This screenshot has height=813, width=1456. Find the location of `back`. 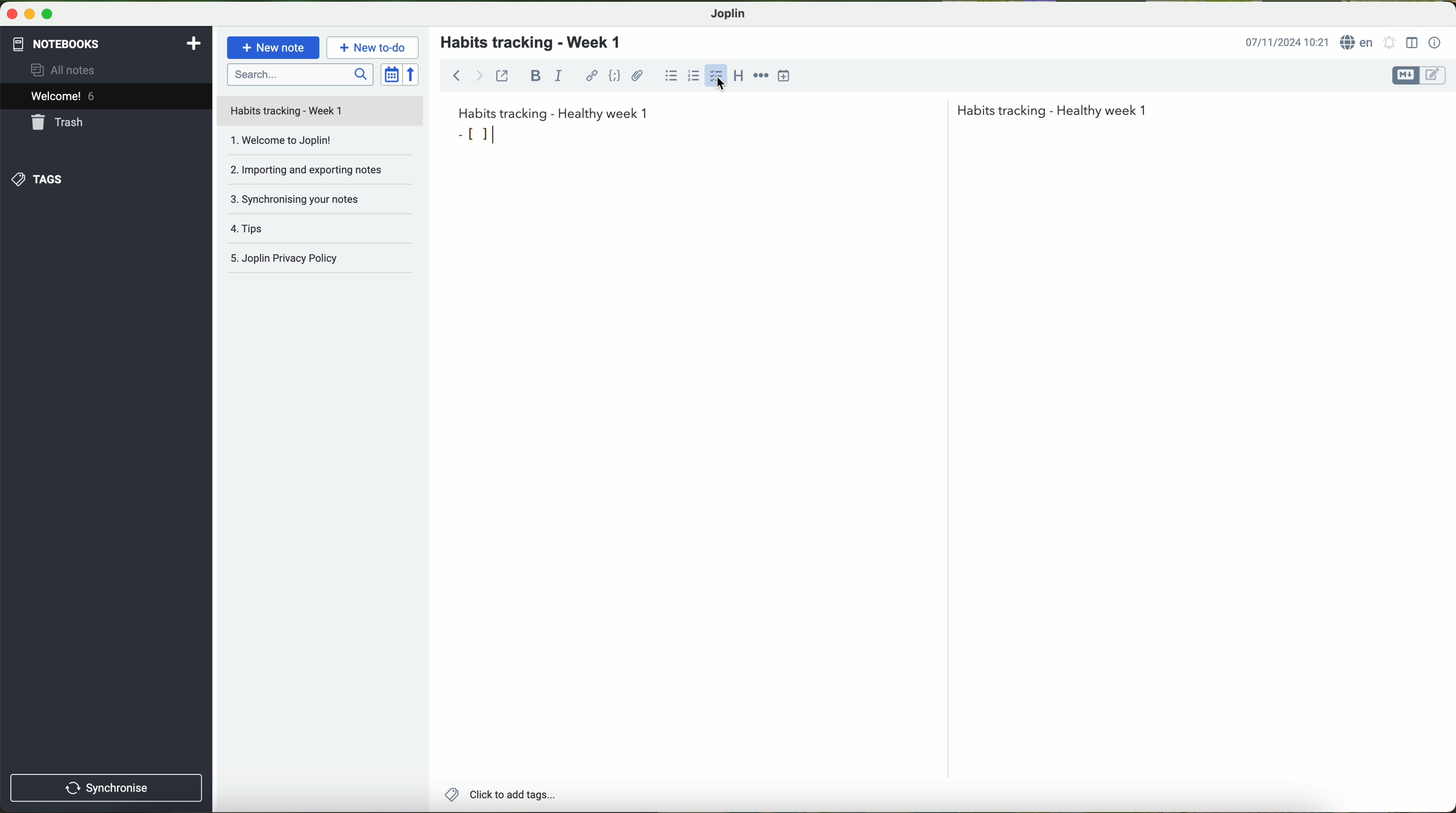

back is located at coordinates (453, 74).